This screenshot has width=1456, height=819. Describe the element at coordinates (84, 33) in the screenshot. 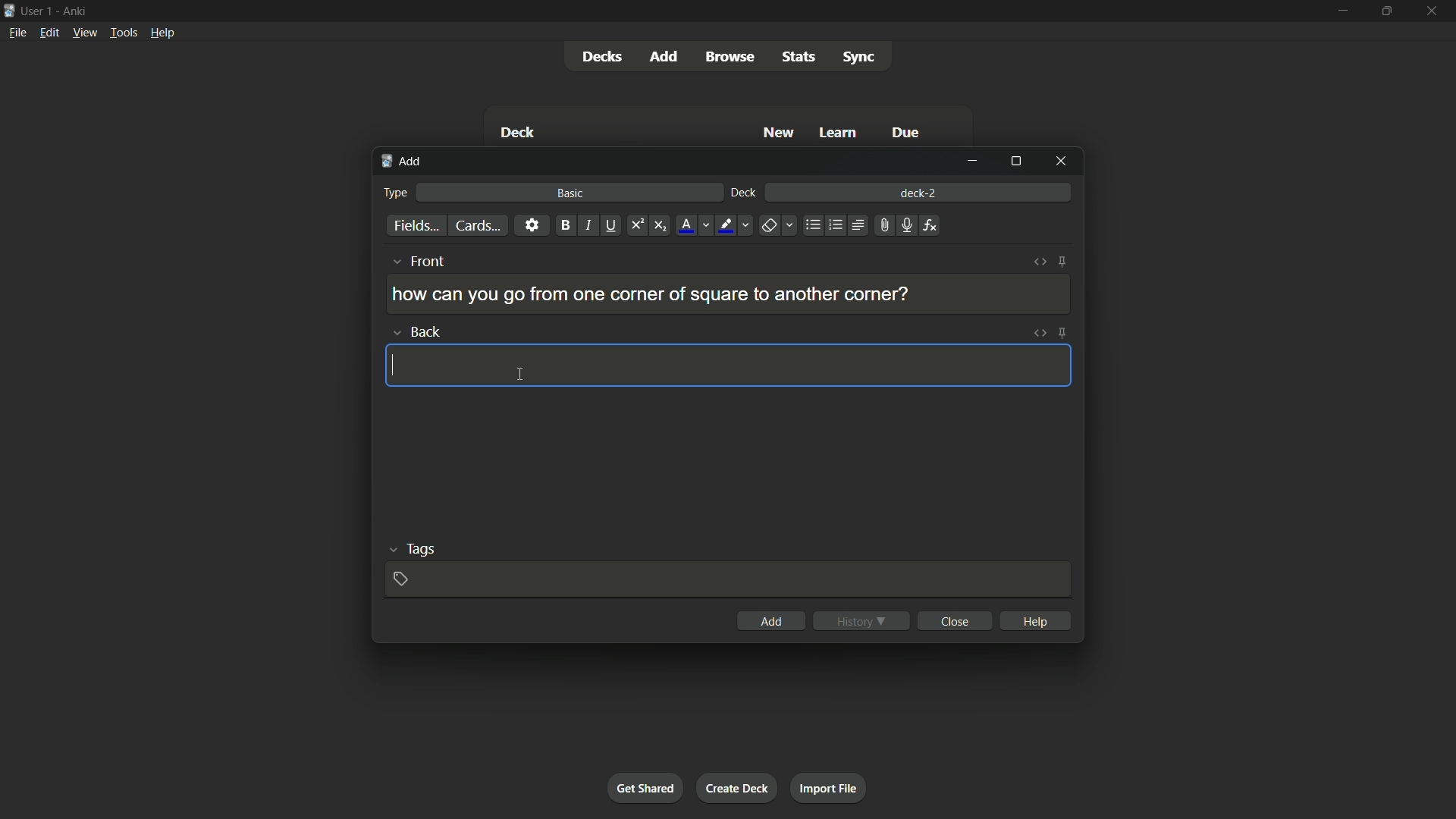

I see `view menu` at that location.